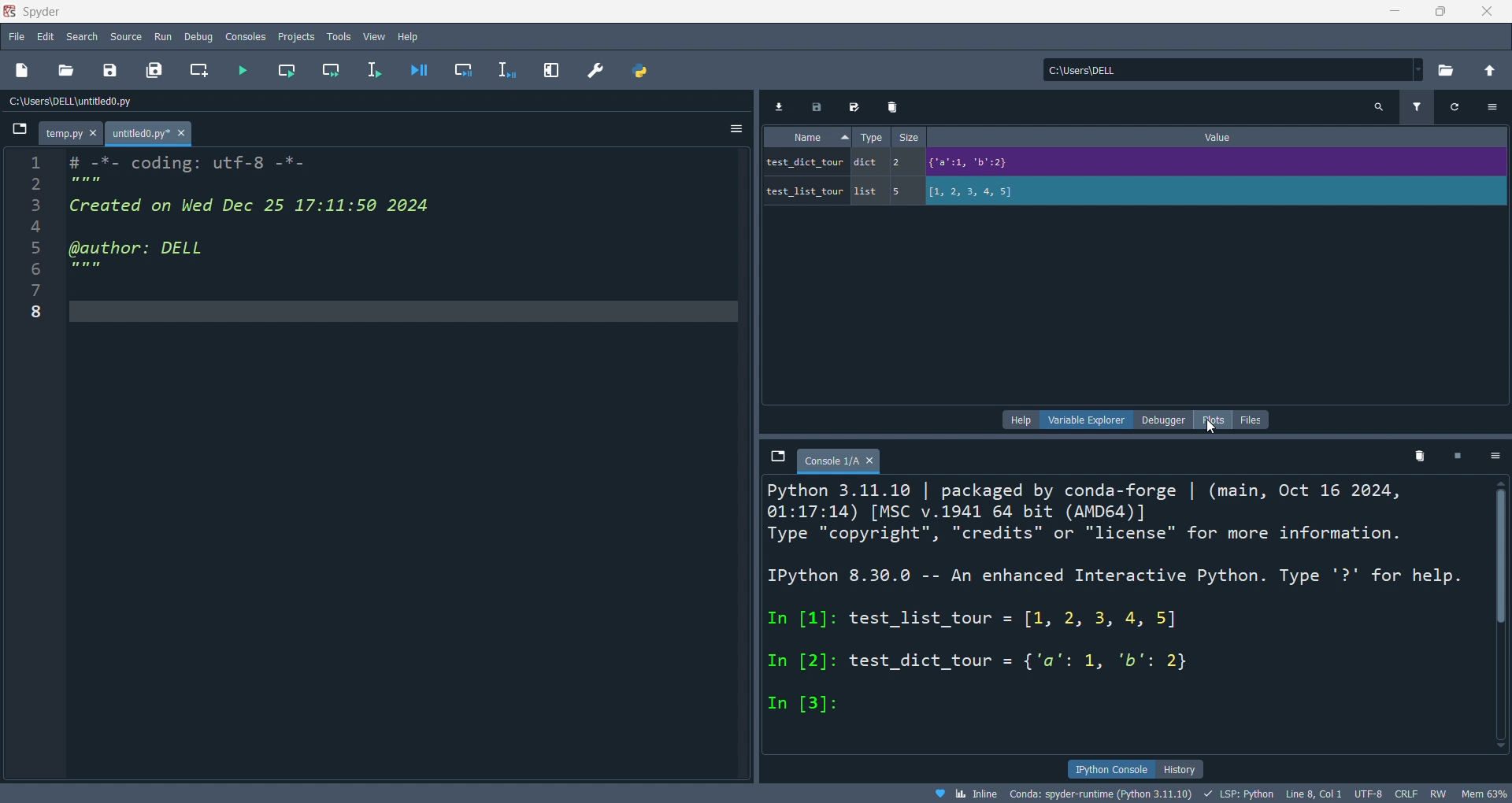 This screenshot has width=1512, height=803. I want to click on run file, so click(245, 71).